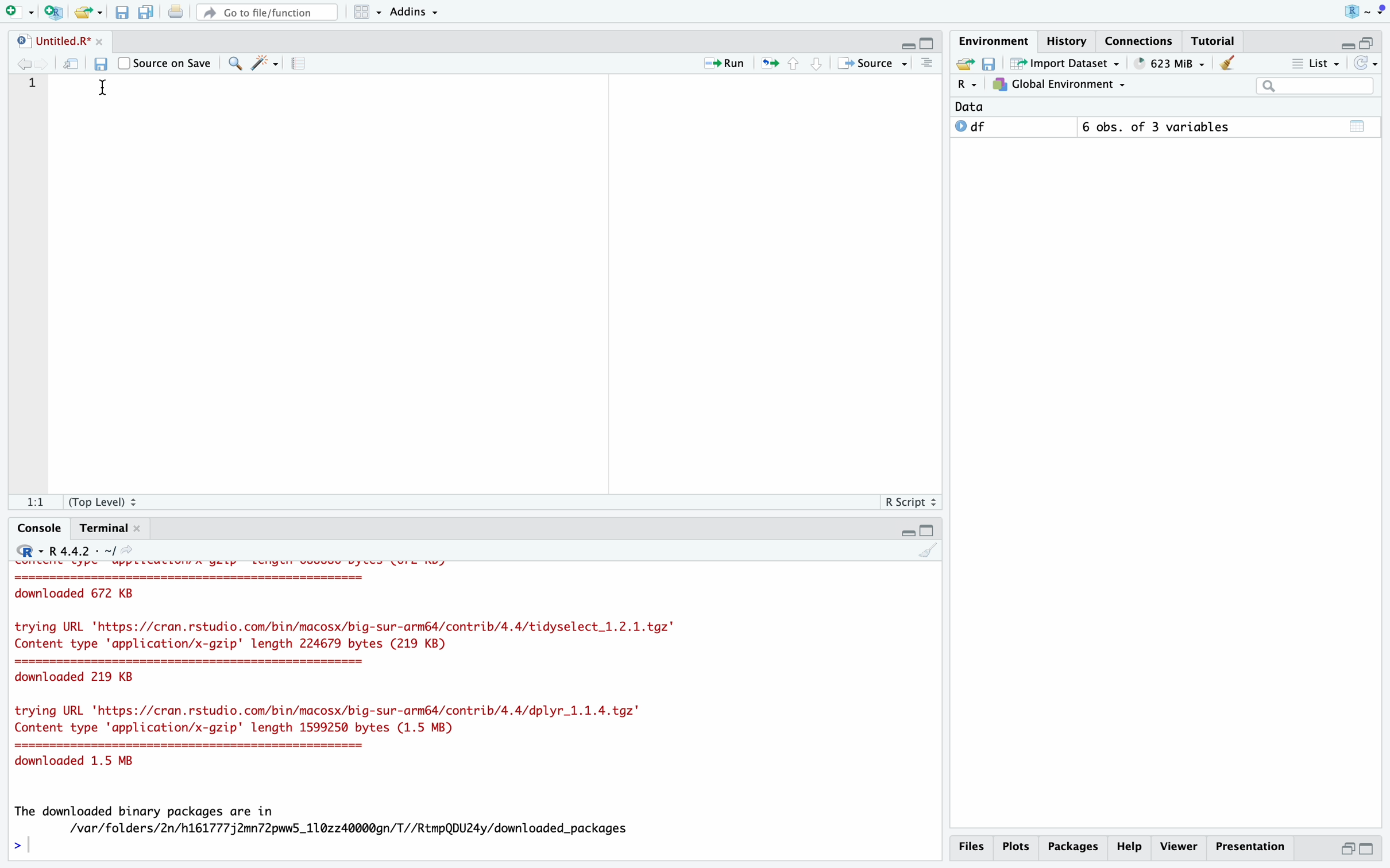 This screenshot has height=868, width=1390. What do you see at coordinates (265, 63) in the screenshot?
I see `Code Tools` at bounding box center [265, 63].